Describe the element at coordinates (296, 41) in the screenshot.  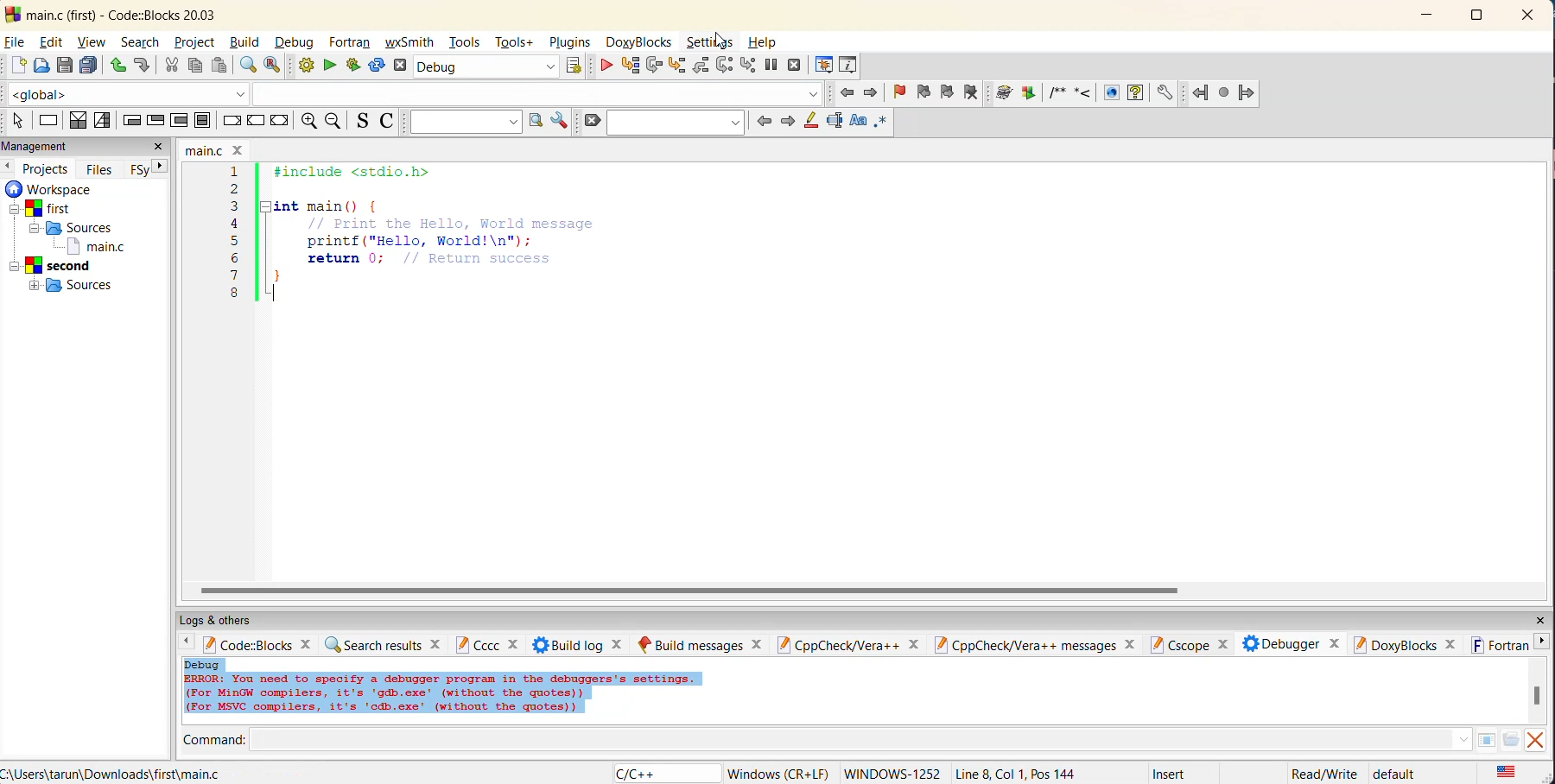
I see `debug` at that location.